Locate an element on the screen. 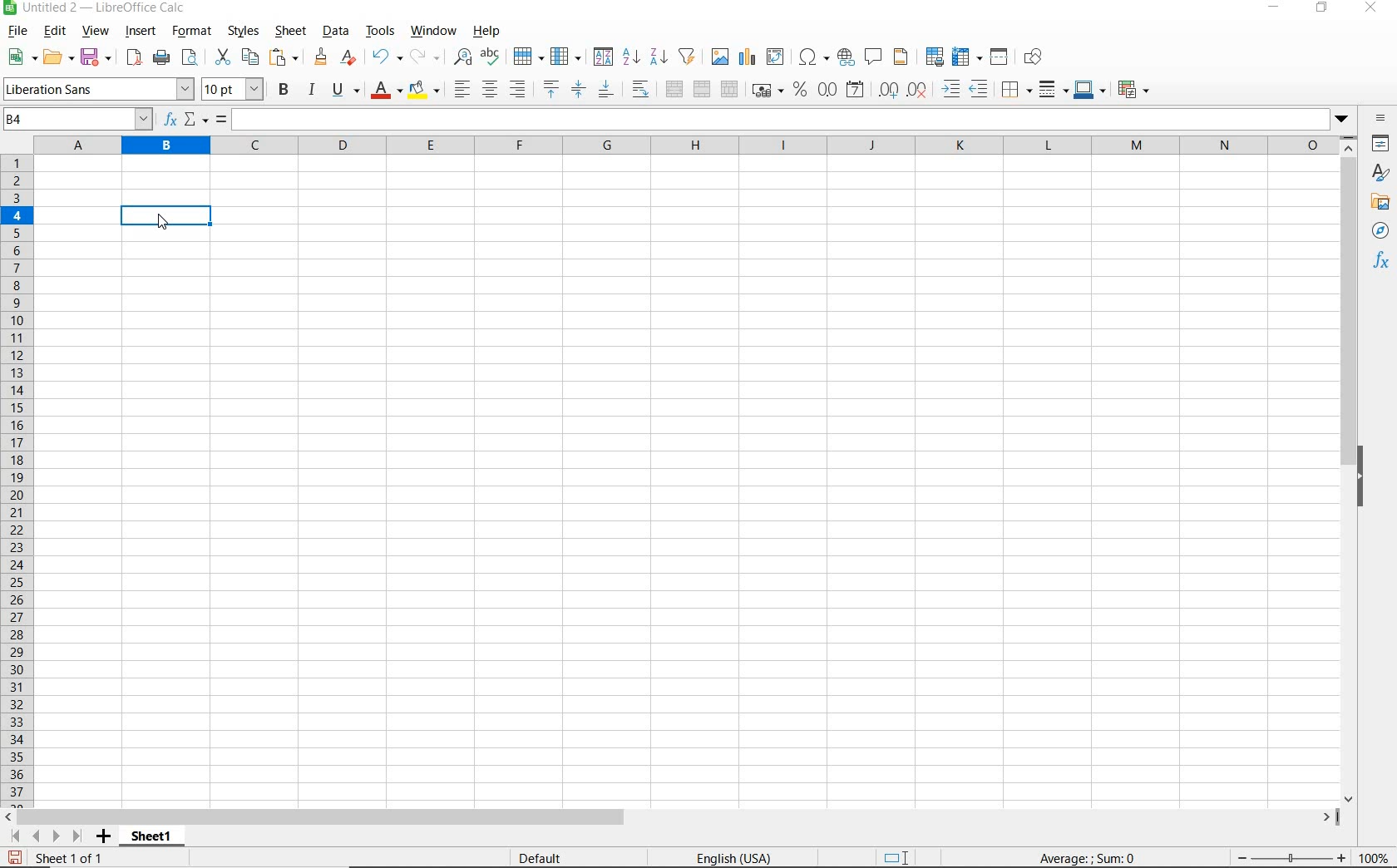  clear direct formatting is located at coordinates (350, 59).